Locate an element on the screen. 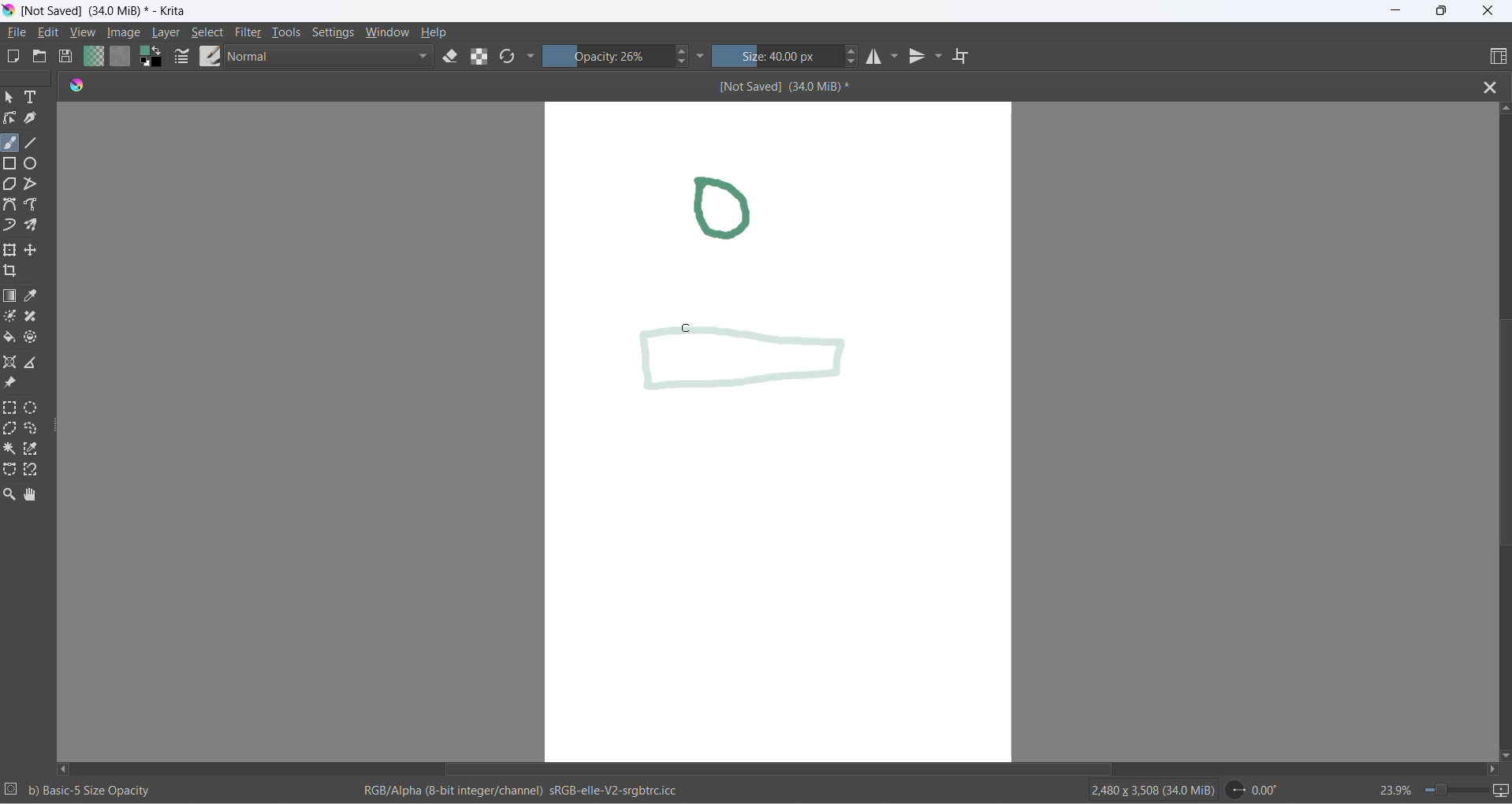 The image size is (1512, 804). reload original presets is located at coordinates (508, 56).